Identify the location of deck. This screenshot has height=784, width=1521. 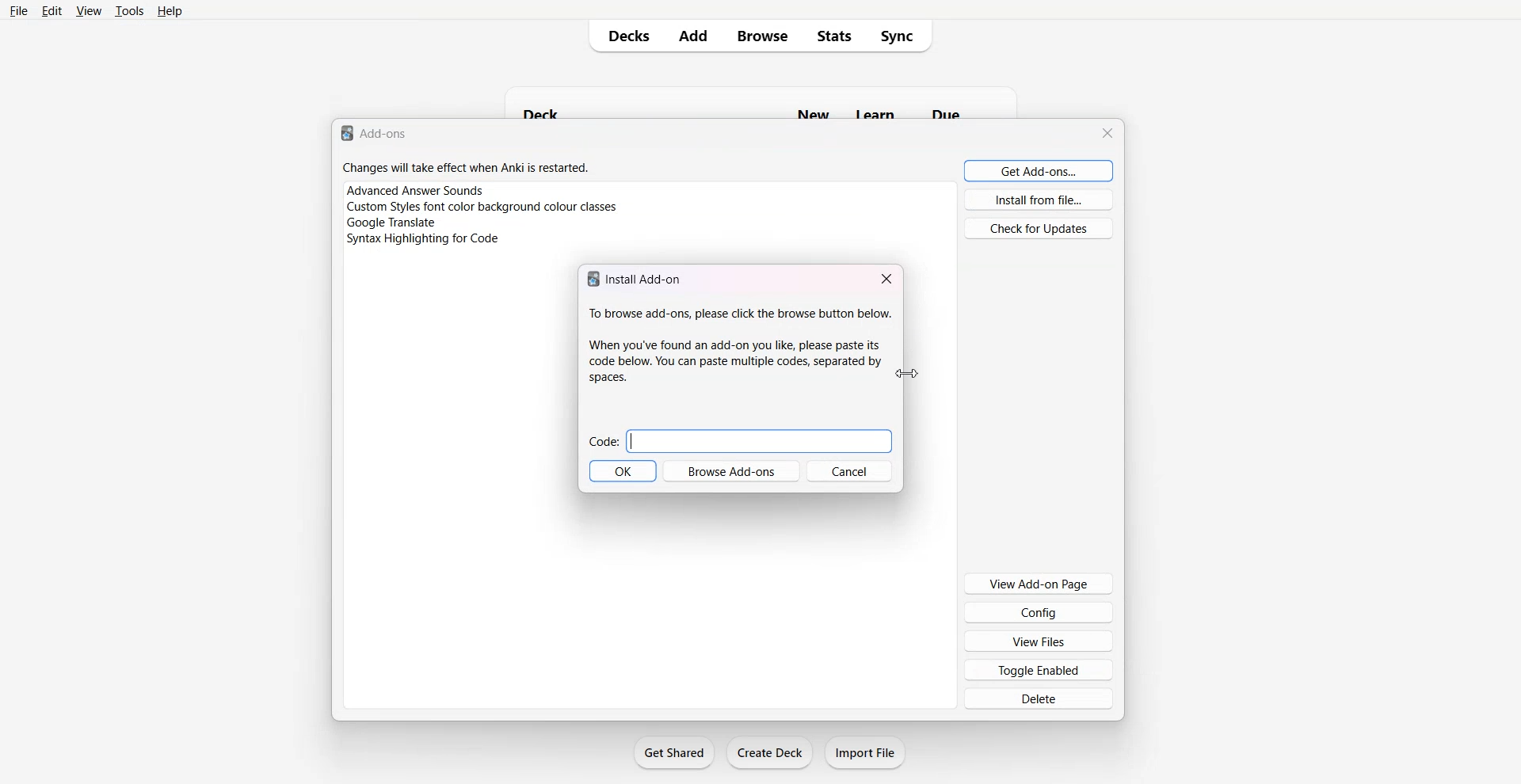
(567, 110).